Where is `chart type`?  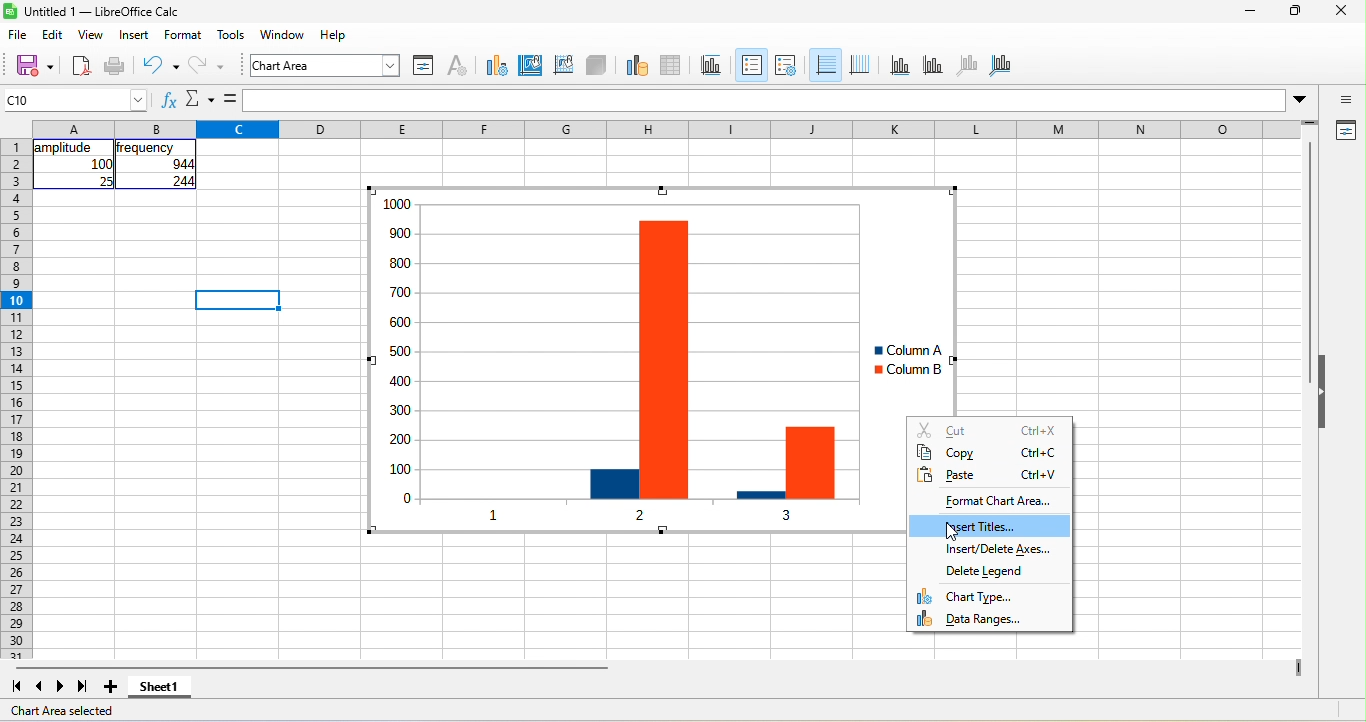 chart type is located at coordinates (989, 596).